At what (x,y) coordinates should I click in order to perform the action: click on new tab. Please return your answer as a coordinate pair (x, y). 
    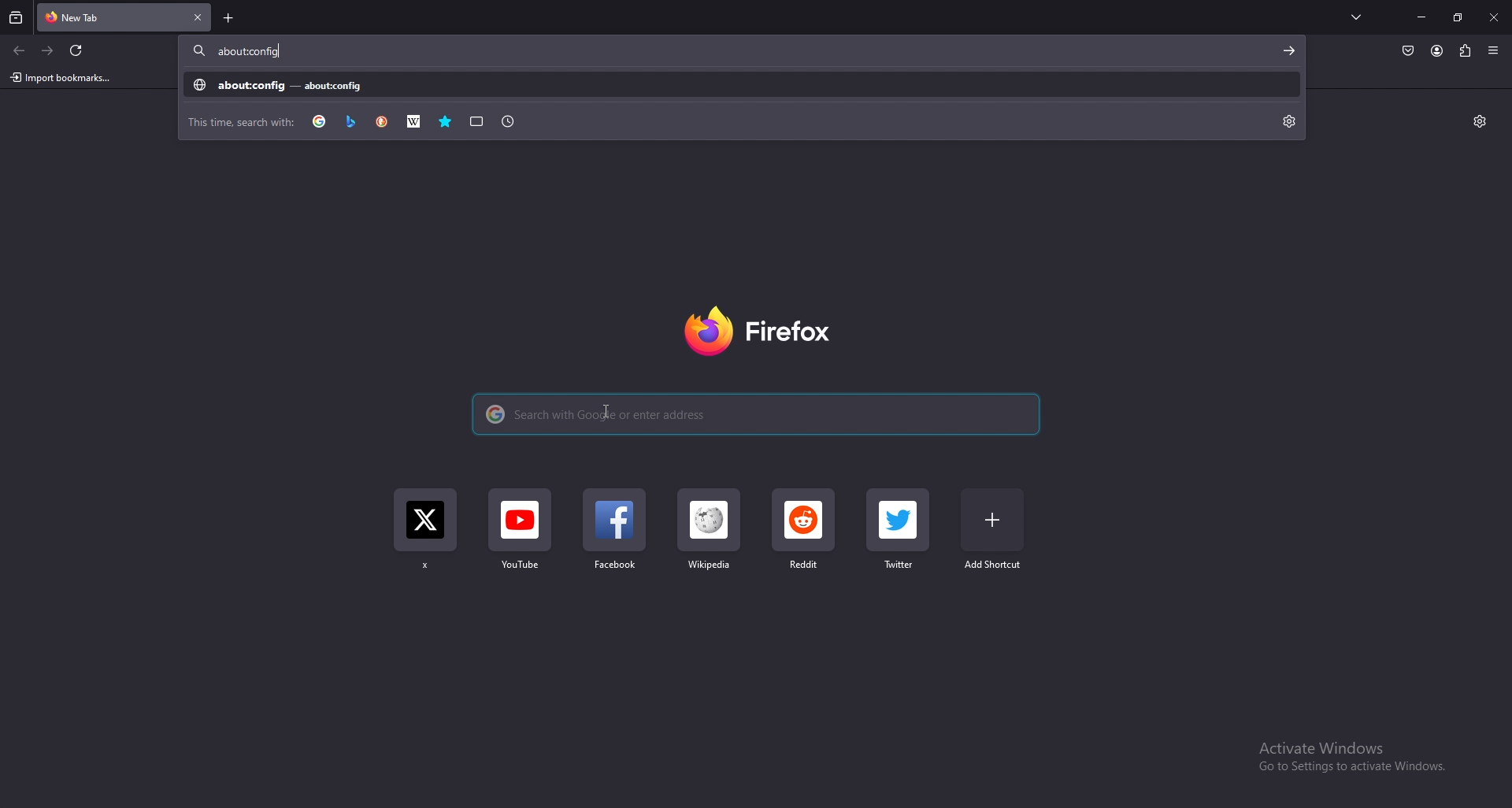
    Looking at the image, I should click on (231, 18).